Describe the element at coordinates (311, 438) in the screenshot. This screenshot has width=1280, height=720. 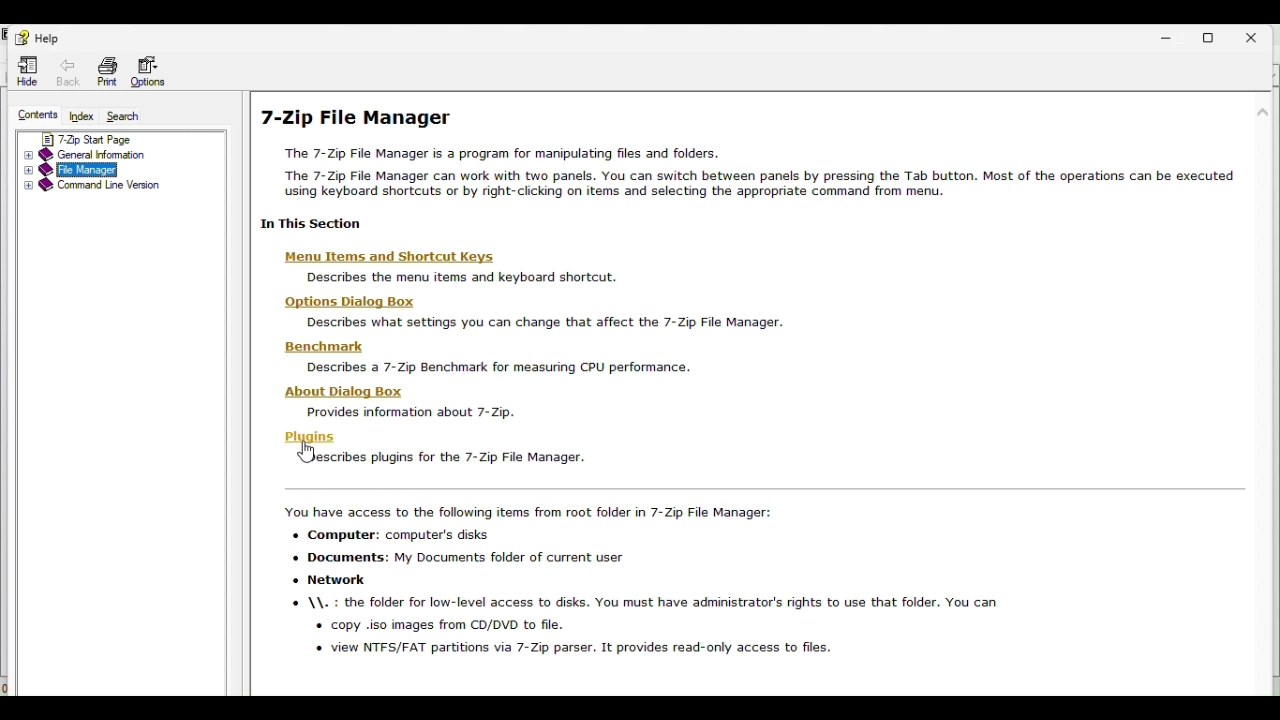
I see `Plugins` at that location.